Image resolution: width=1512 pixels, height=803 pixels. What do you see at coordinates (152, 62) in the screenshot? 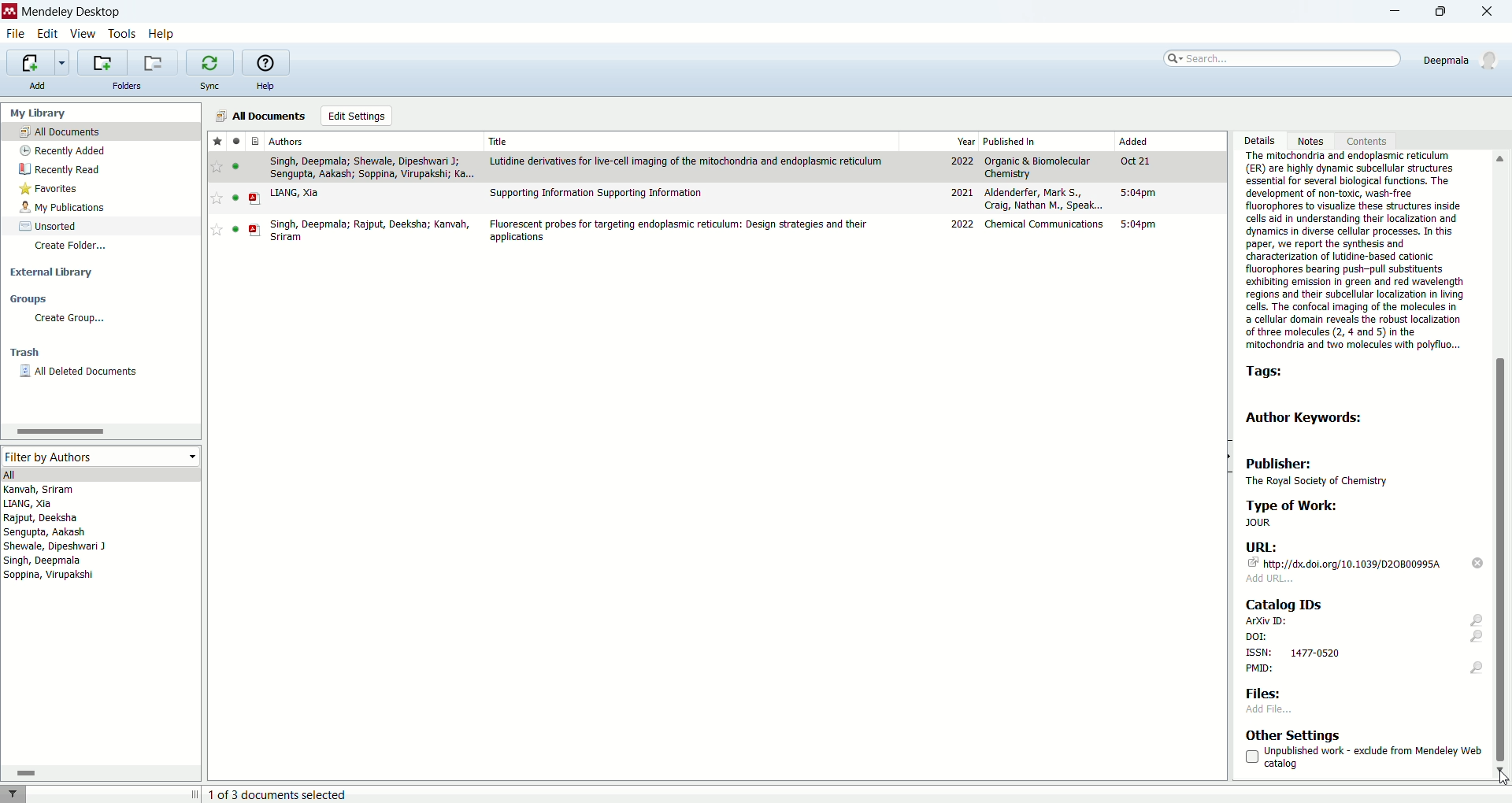
I see `remove current folder` at bounding box center [152, 62].